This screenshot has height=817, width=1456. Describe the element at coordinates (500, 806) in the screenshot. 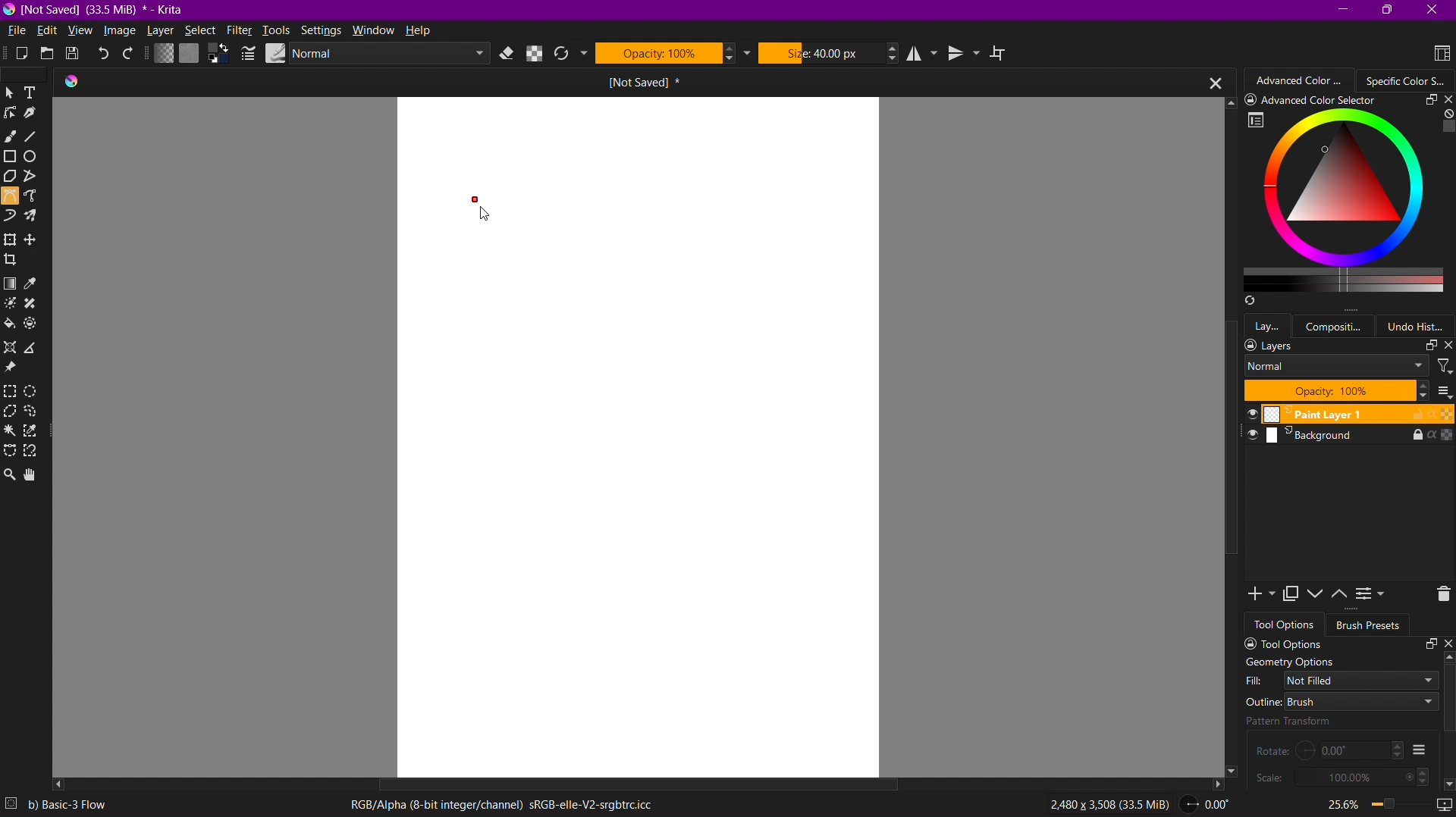

I see `RGB/Alpha(8-bit integer/channel)` at that location.